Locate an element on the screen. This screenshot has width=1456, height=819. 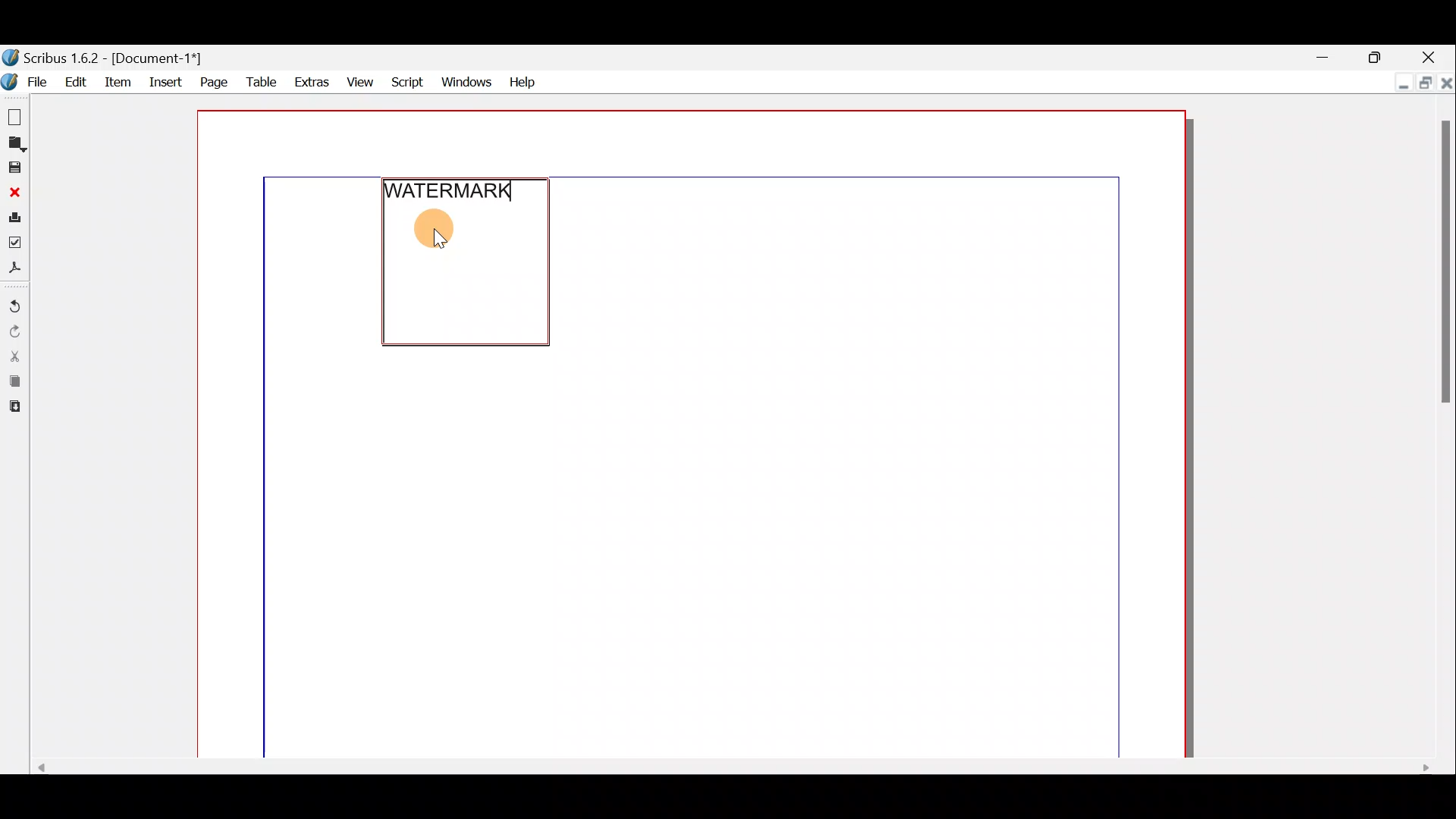
CIRCLE is located at coordinates (435, 228).